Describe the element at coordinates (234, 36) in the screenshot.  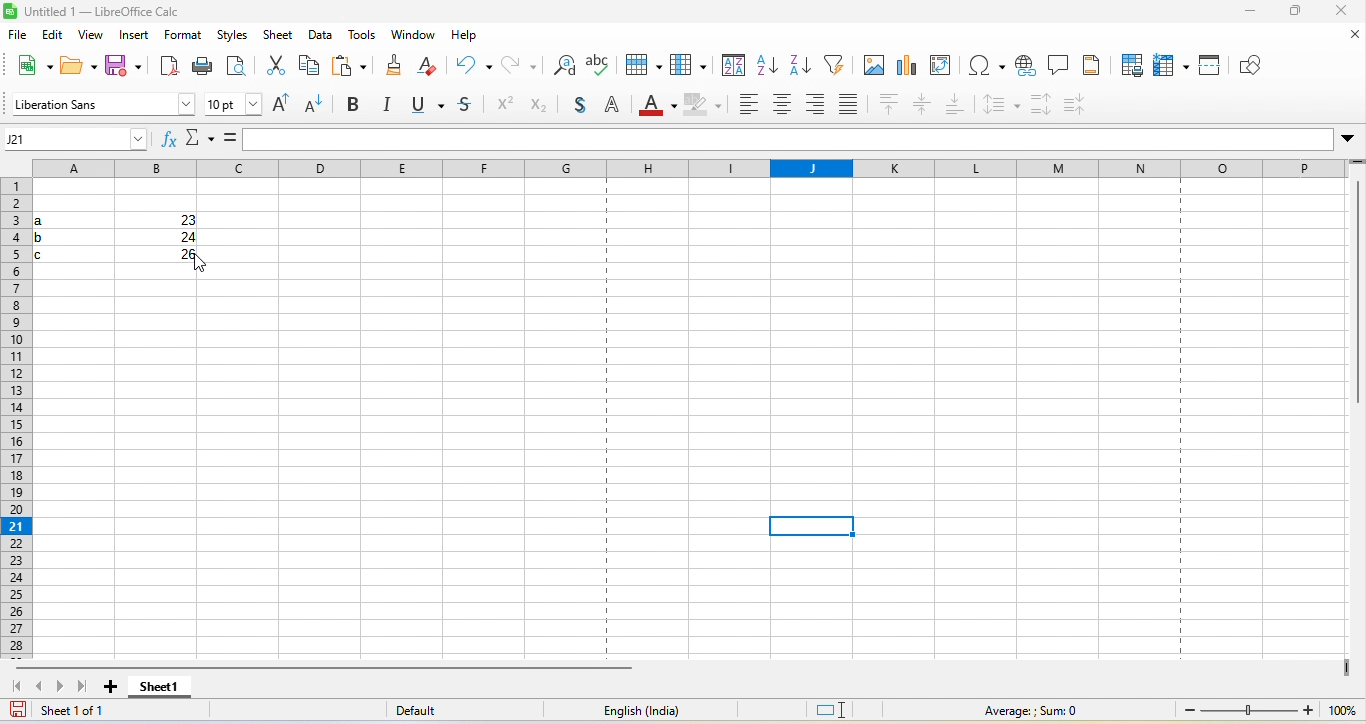
I see `styles` at that location.